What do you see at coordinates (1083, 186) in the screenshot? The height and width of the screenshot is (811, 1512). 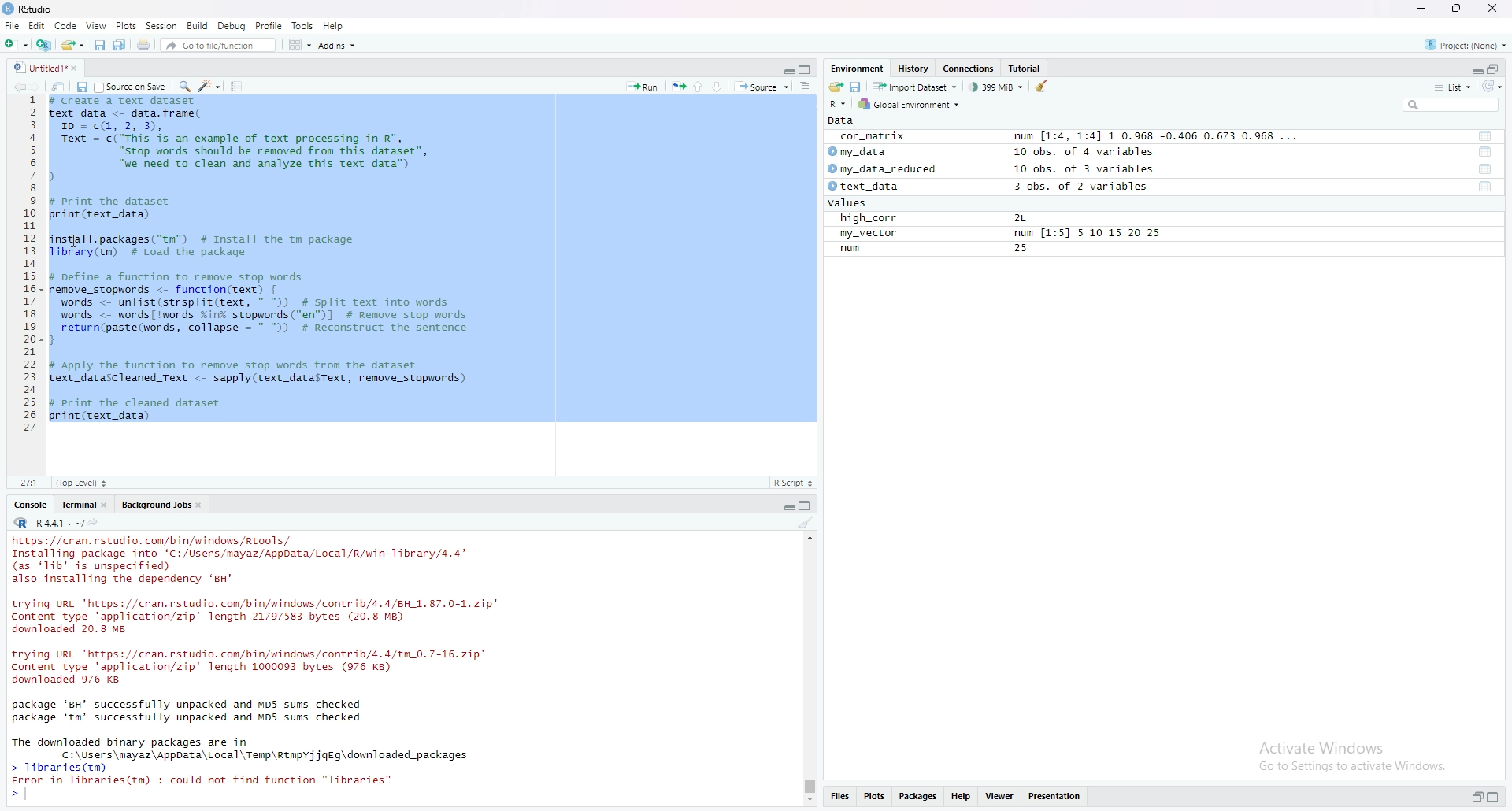 I see `3 obs. of 2 variables` at bounding box center [1083, 186].